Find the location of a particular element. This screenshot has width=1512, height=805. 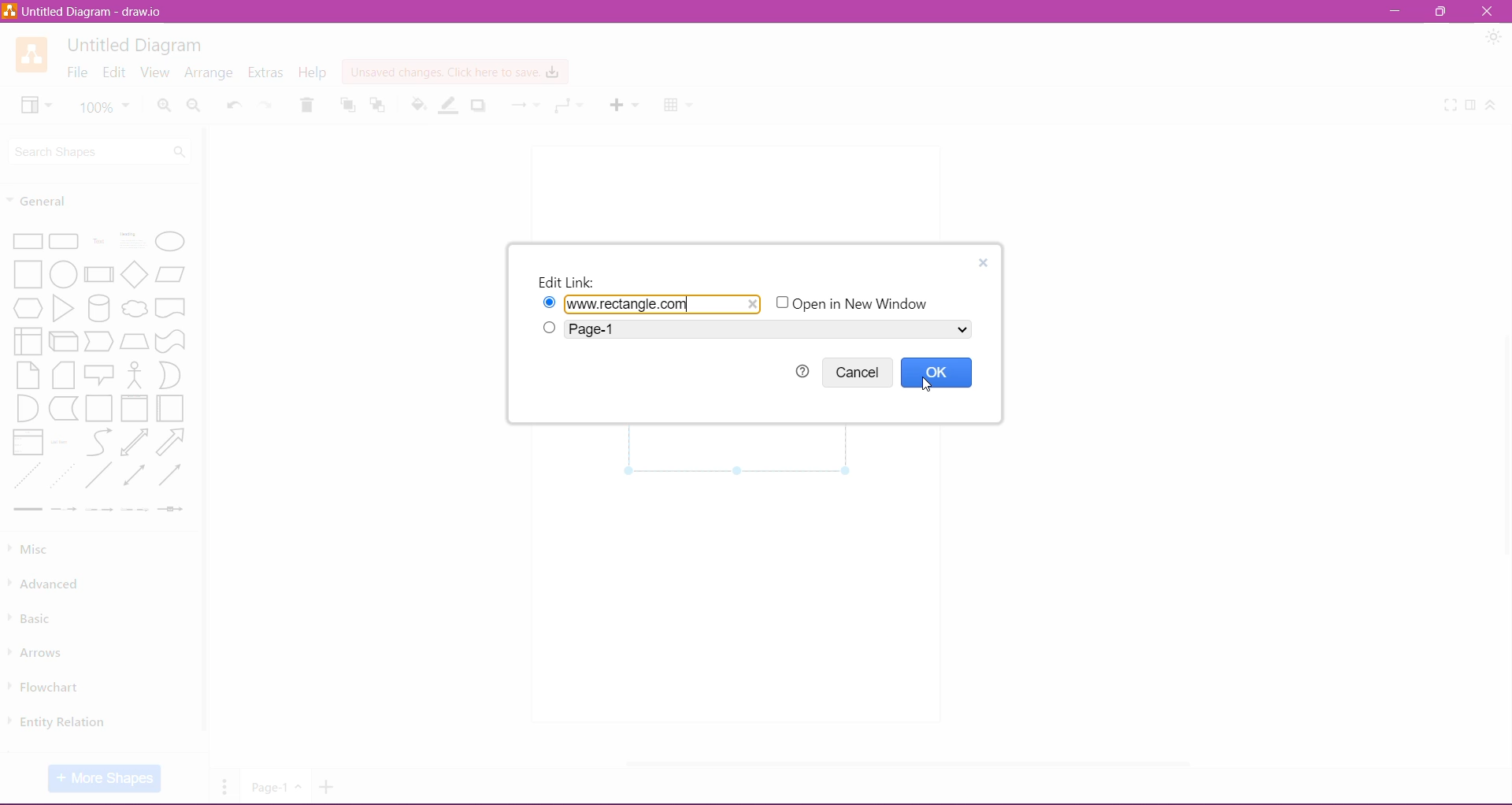

Untitled Diagram is located at coordinates (137, 46).